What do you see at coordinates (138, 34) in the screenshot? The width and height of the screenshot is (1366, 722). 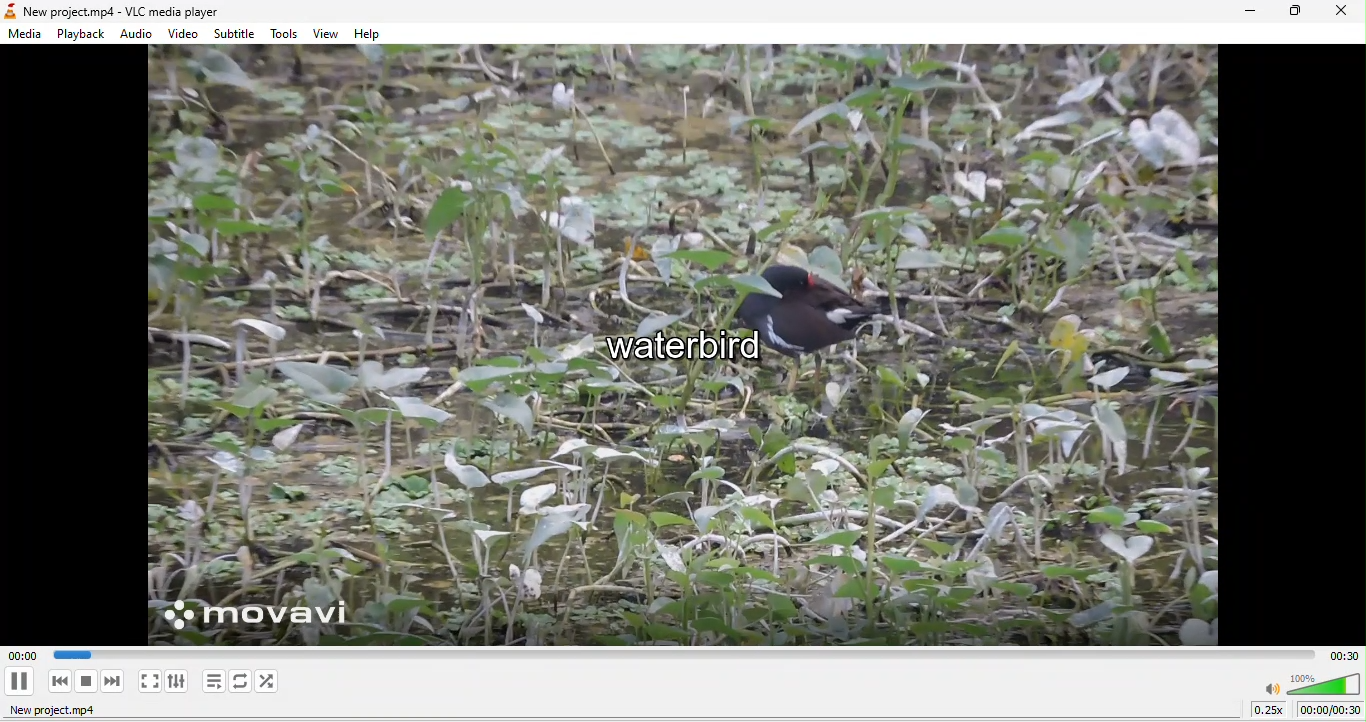 I see `audio` at bounding box center [138, 34].